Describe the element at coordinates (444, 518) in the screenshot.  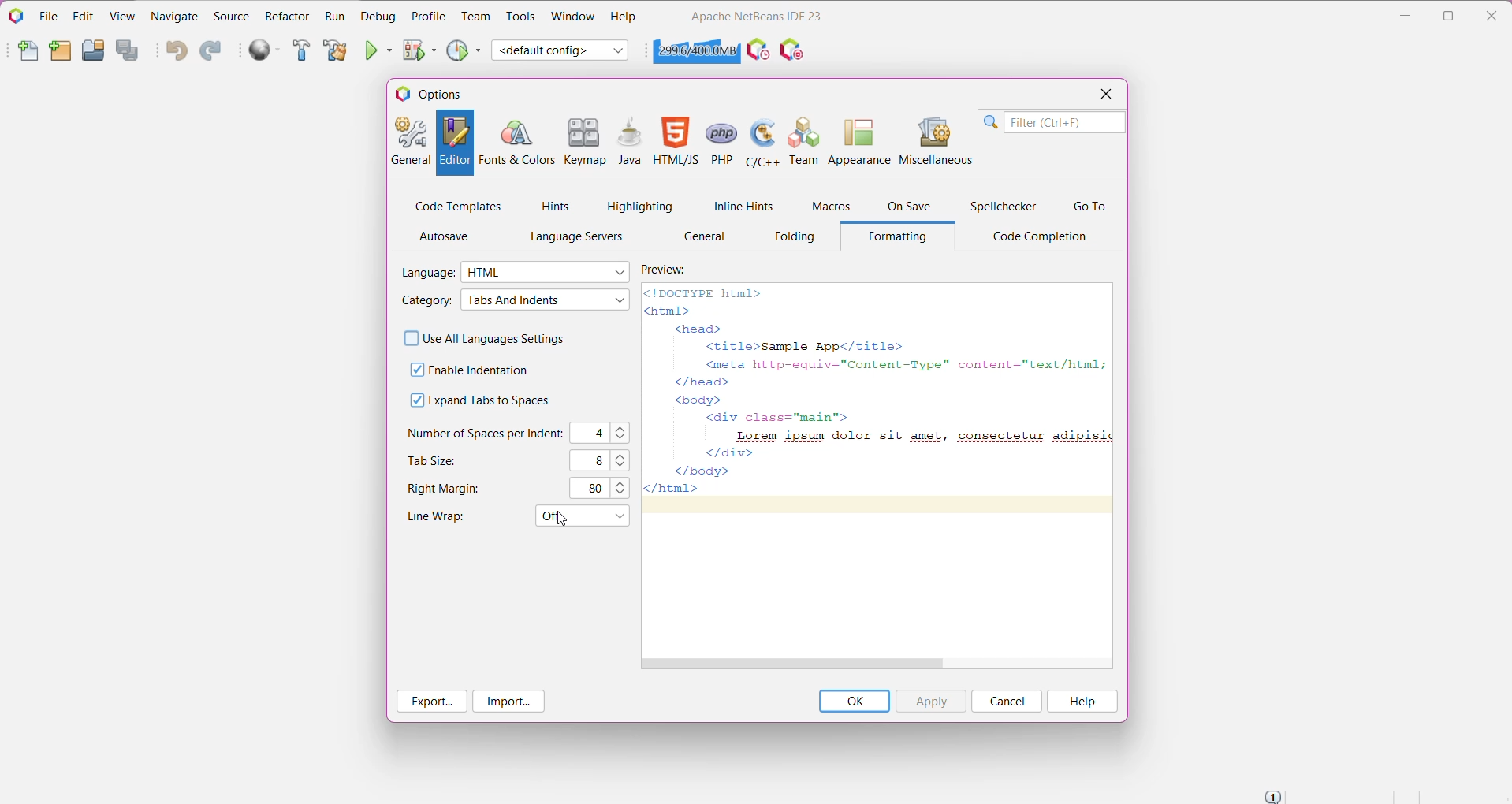
I see `Line Wrap` at that location.